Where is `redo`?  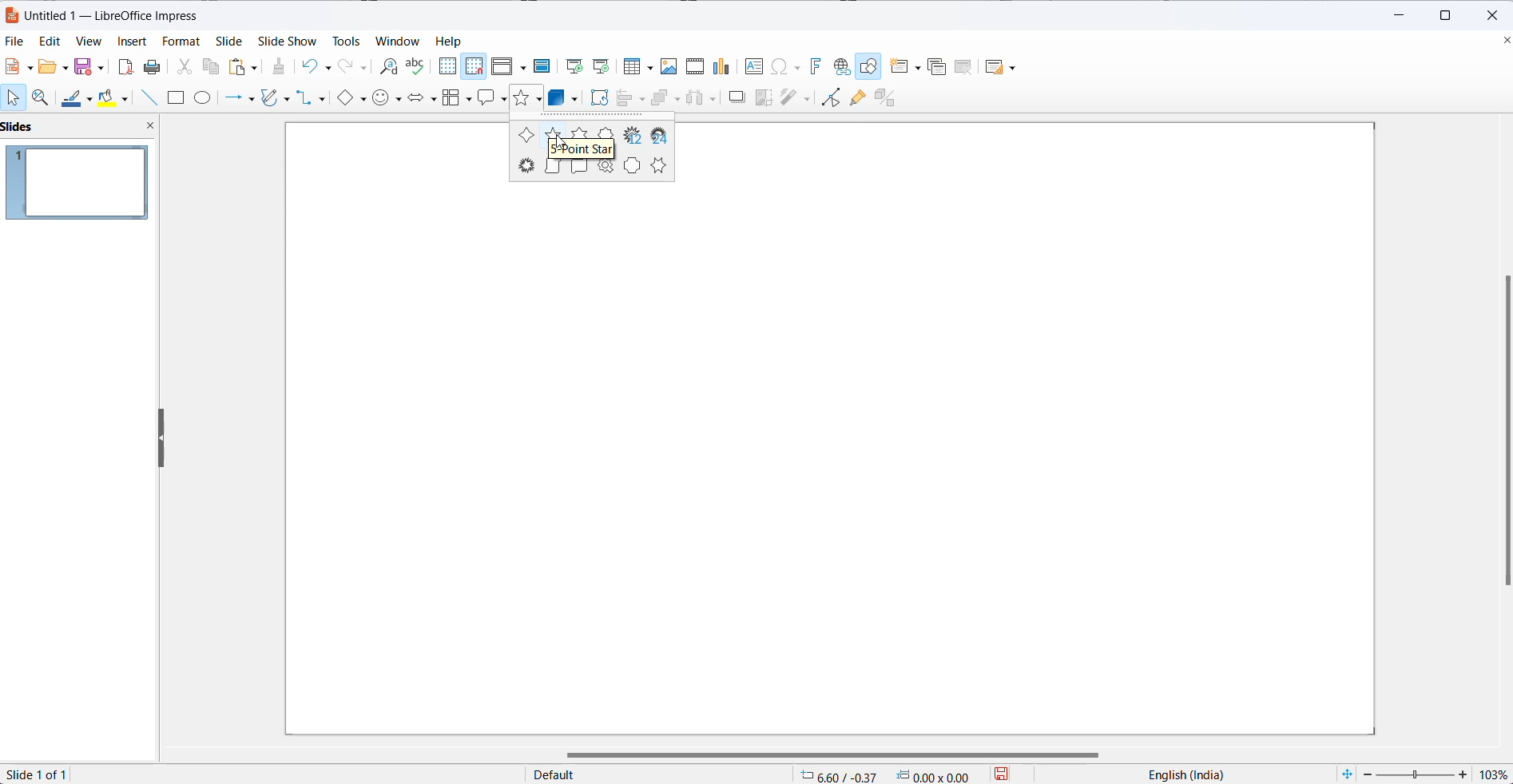 redo is located at coordinates (354, 66).